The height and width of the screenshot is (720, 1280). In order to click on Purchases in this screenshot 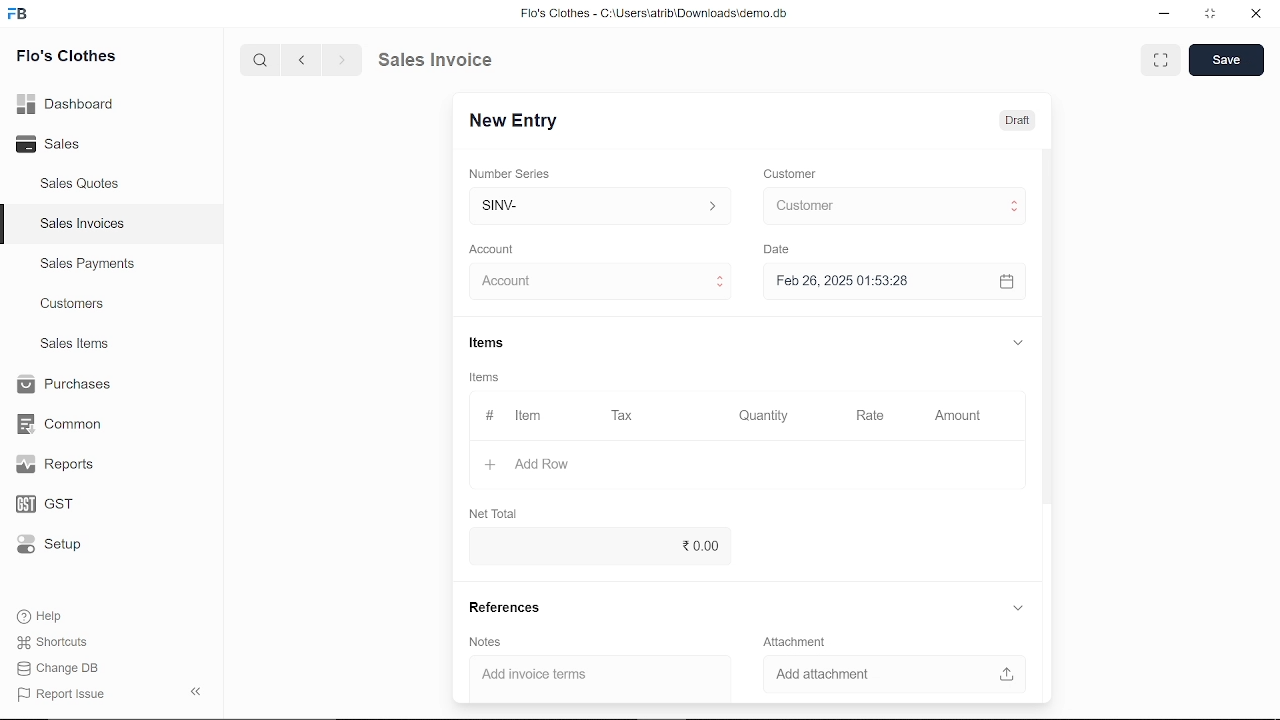, I will do `click(62, 385)`.